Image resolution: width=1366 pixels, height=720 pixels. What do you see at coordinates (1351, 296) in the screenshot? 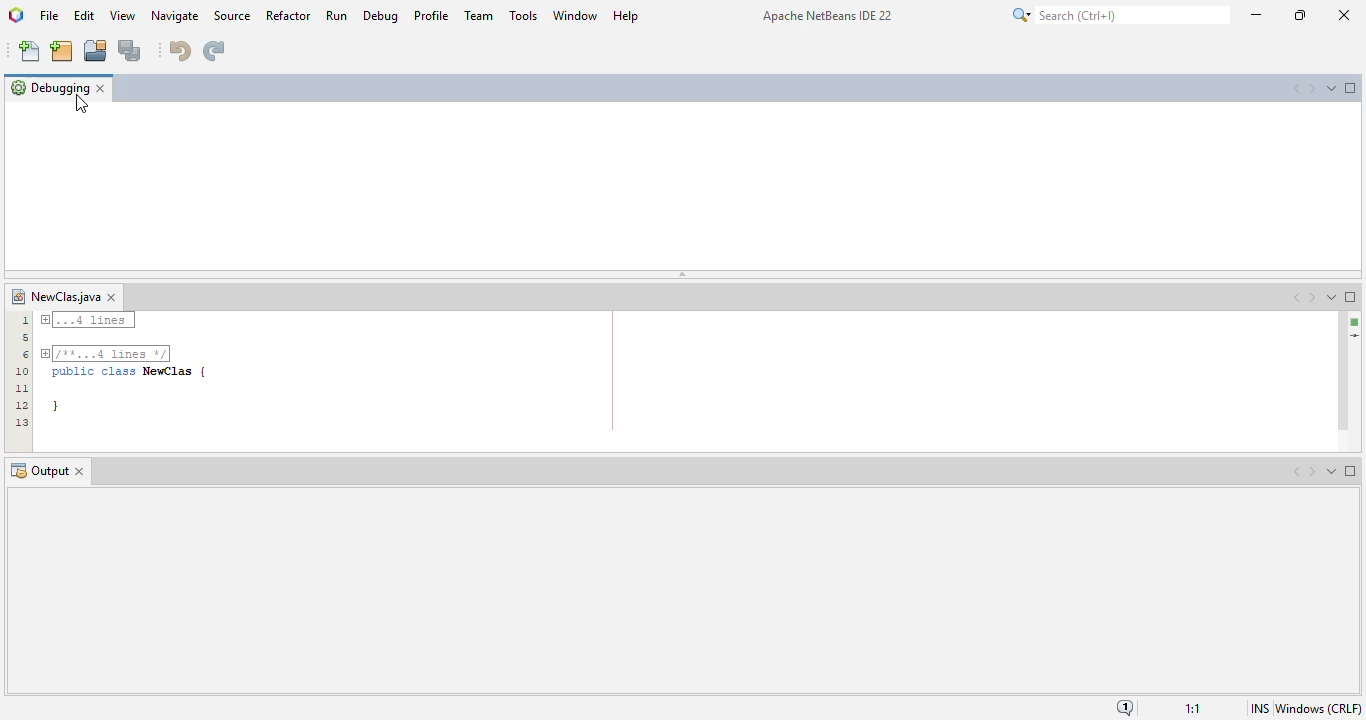
I see `maximize window` at bounding box center [1351, 296].